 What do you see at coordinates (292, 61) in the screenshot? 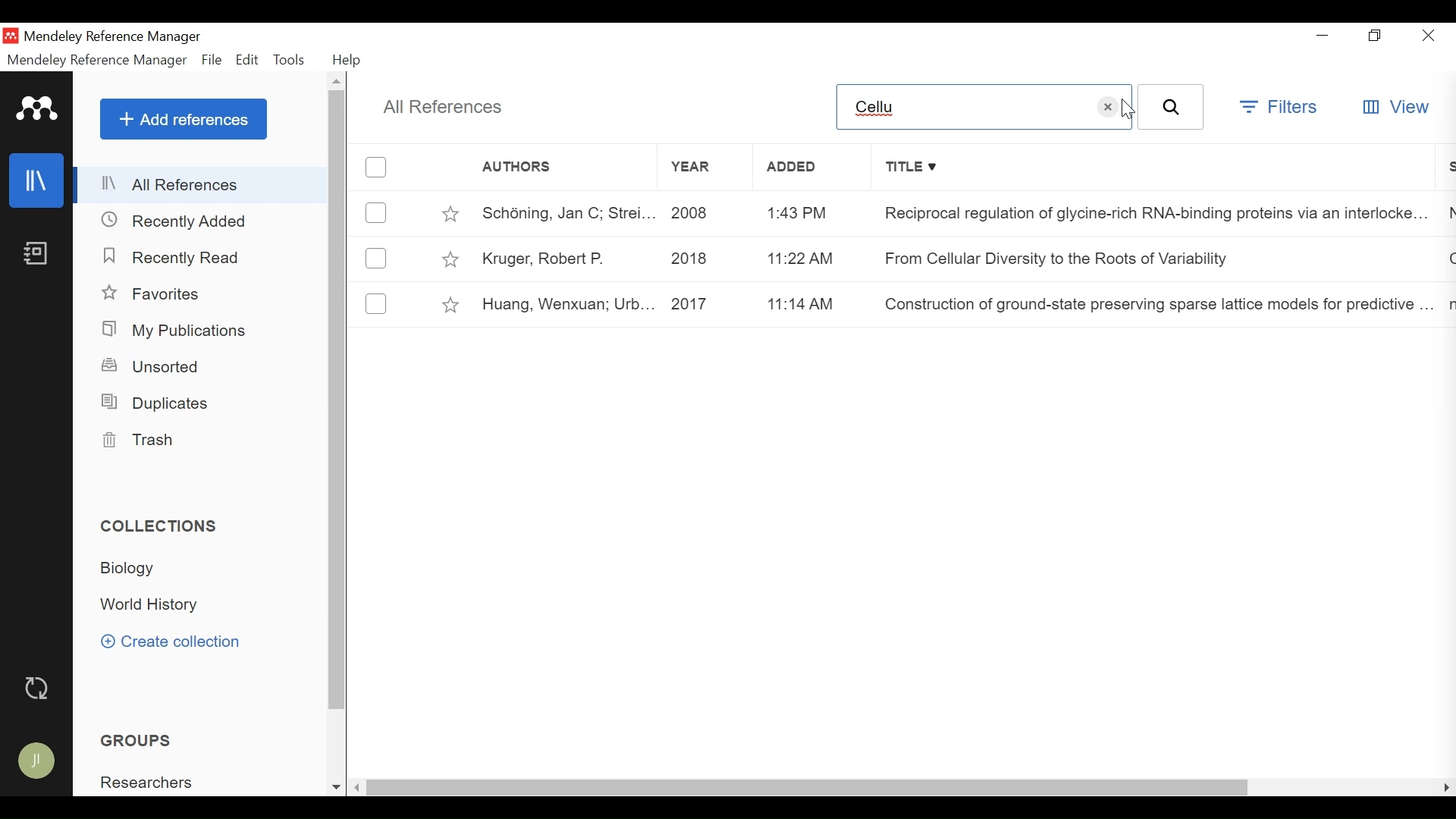
I see `Tools` at bounding box center [292, 61].